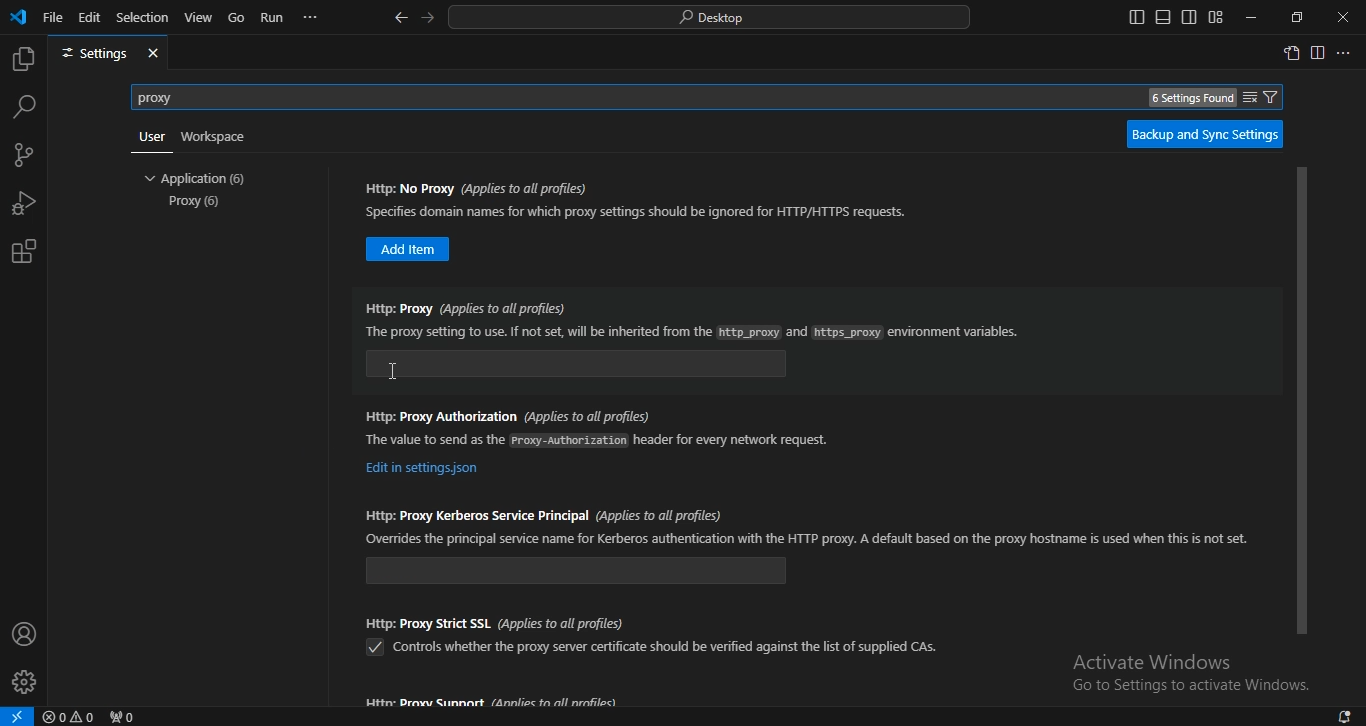  What do you see at coordinates (216, 137) in the screenshot?
I see `Workspace` at bounding box center [216, 137].